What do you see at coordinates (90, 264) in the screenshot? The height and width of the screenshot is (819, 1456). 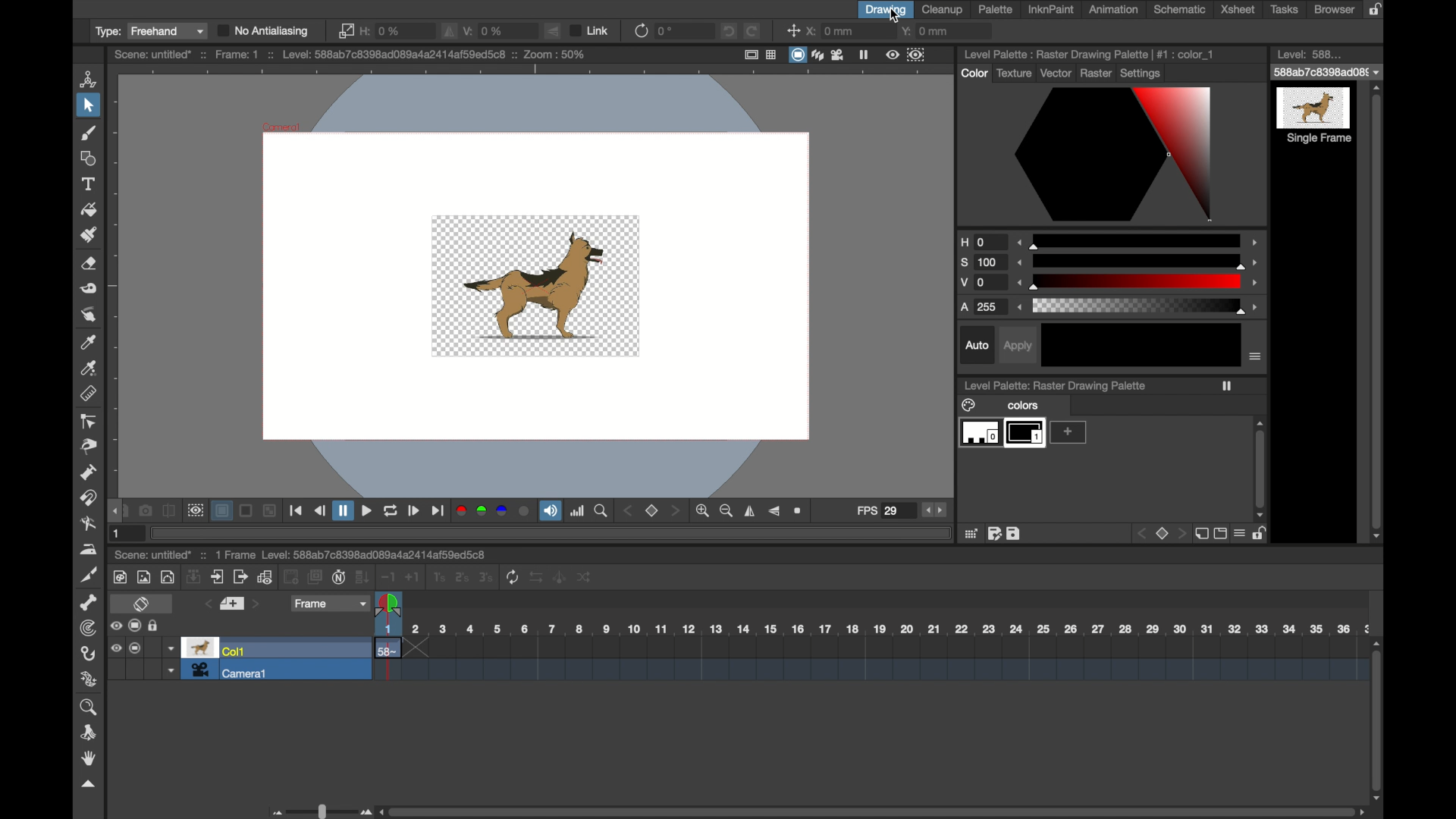 I see `eraser tool` at bounding box center [90, 264].